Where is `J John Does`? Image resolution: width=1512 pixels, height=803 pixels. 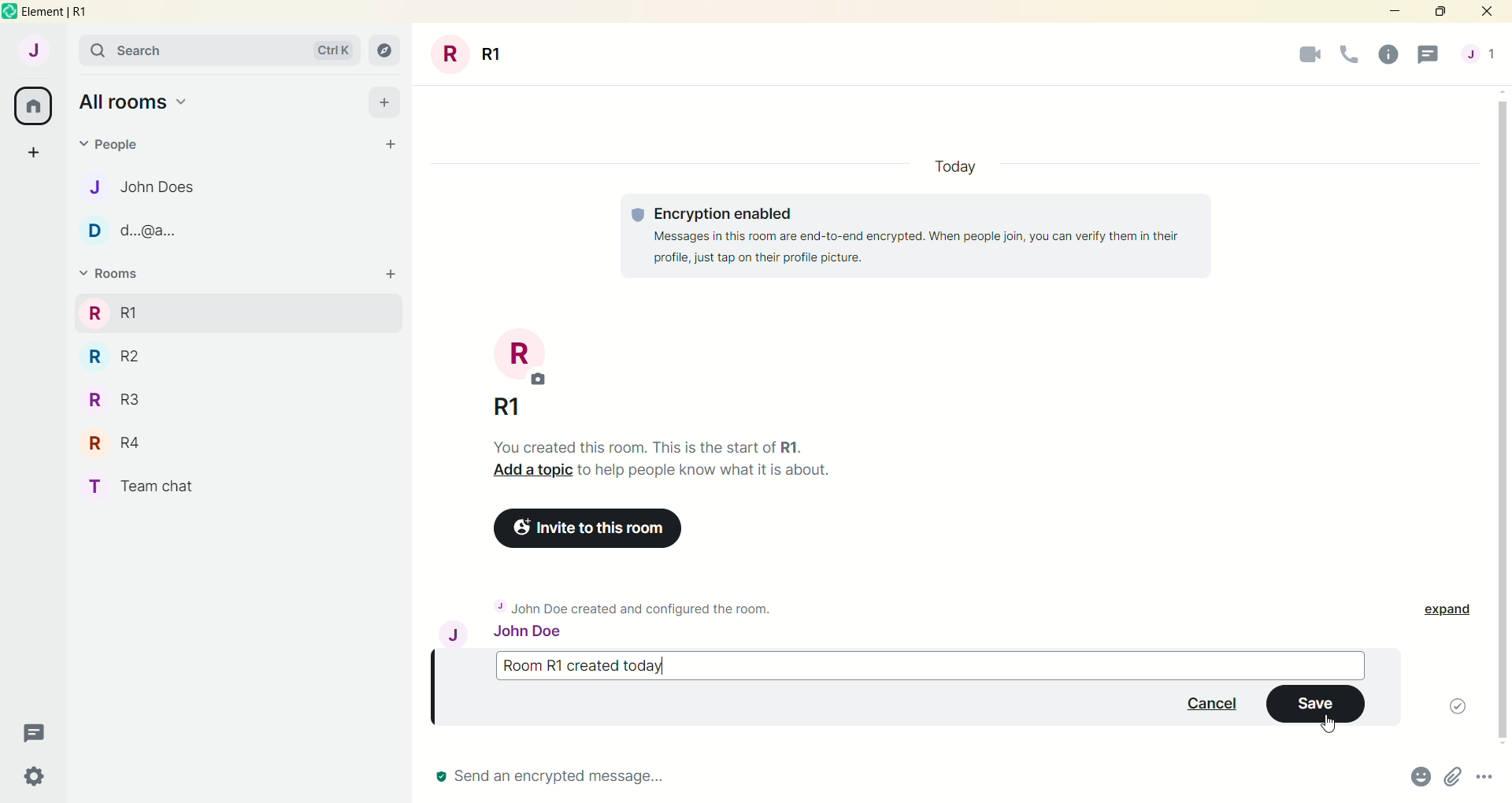
J John Does is located at coordinates (151, 187).